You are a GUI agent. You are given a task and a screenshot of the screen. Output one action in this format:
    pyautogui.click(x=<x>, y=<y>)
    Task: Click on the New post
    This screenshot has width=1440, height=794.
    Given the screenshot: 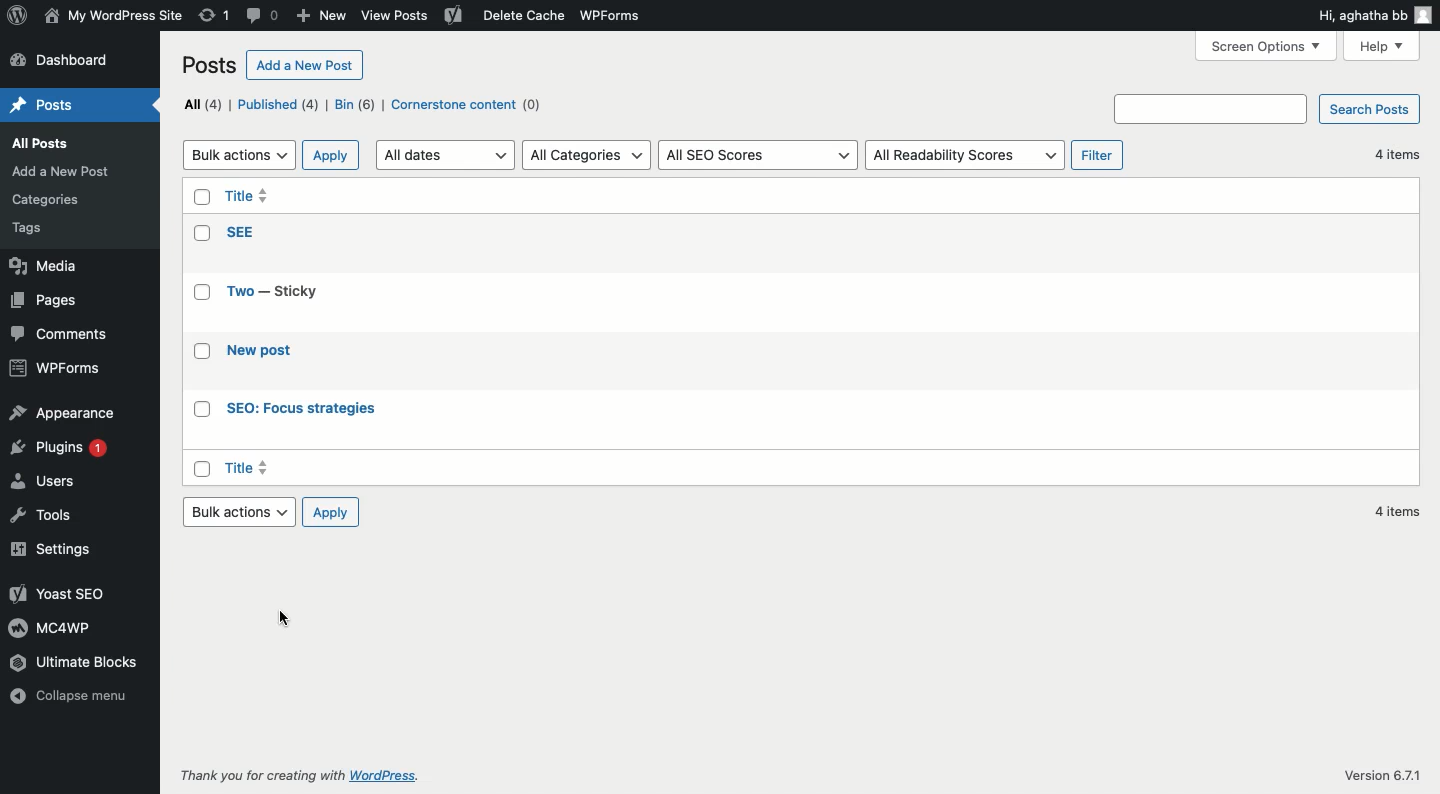 What is the action you would take?
    pyautogui.click(x=263, y=352)
    